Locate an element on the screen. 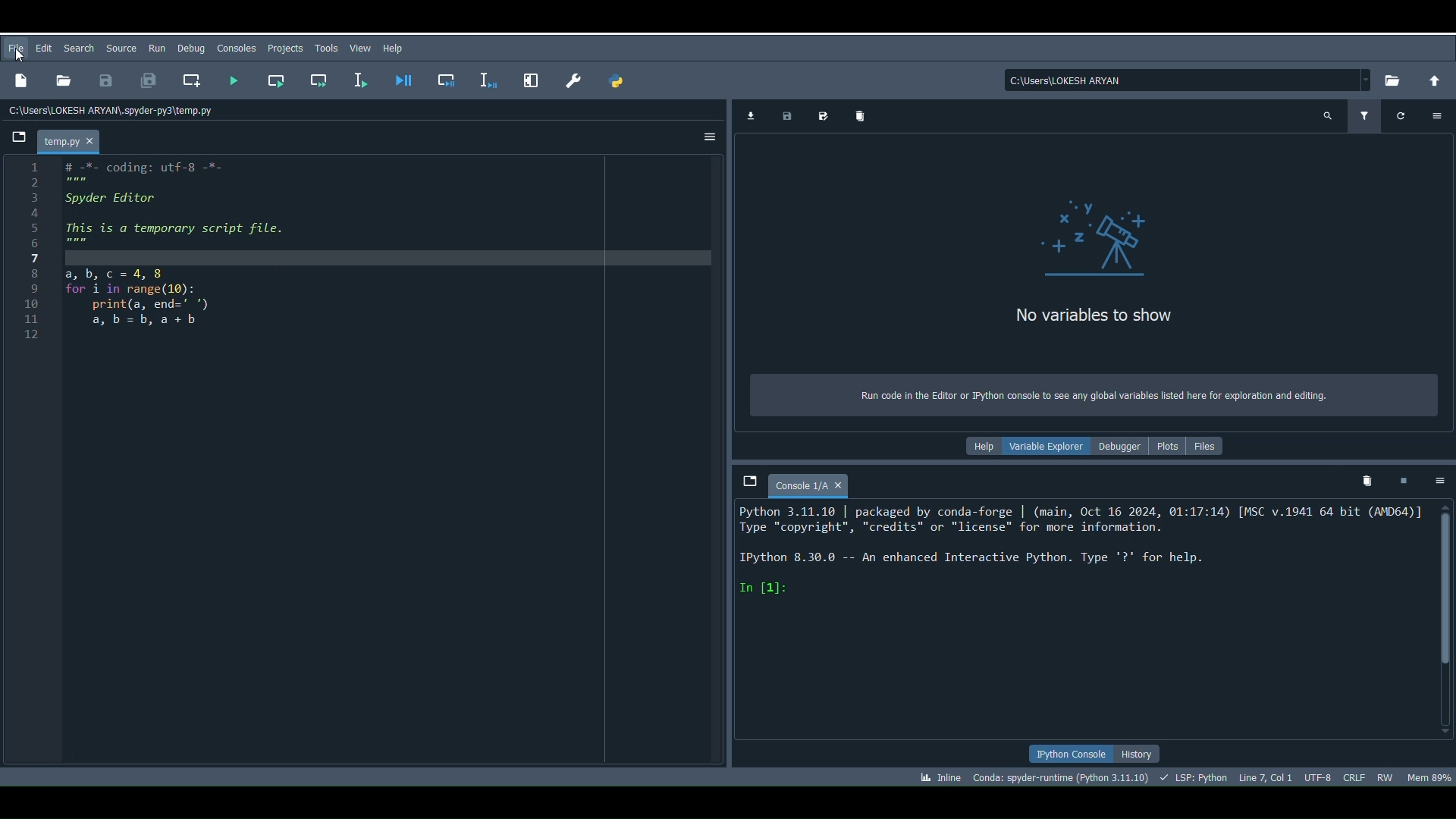 Image resolution: width=1456 pixels, height=819 pixels. Help is located at coordinates (978, 447).